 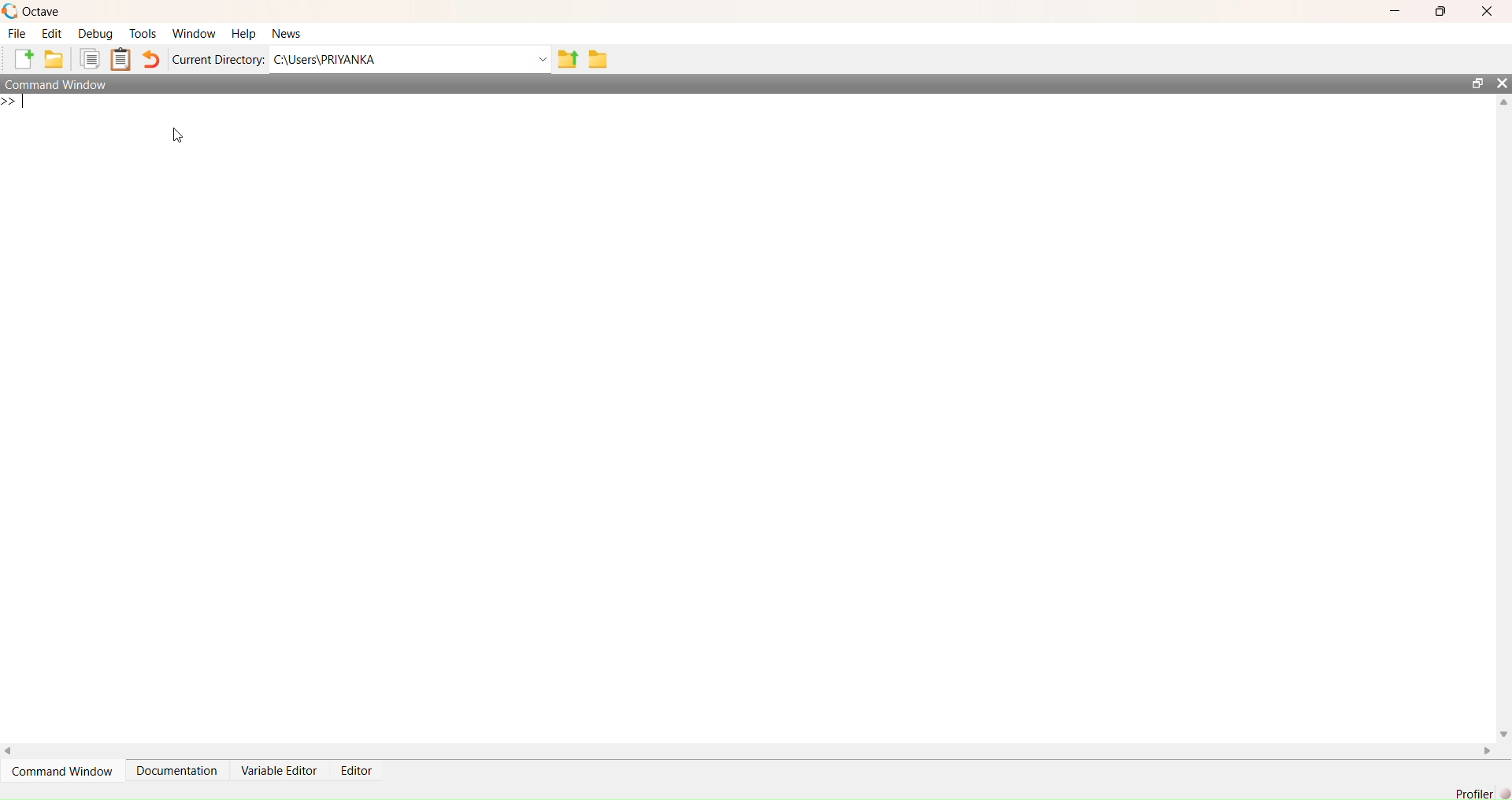 What do you see at coordinates (16, 33) in the screenshot?
I see `File` at bounding box center [16, 33].